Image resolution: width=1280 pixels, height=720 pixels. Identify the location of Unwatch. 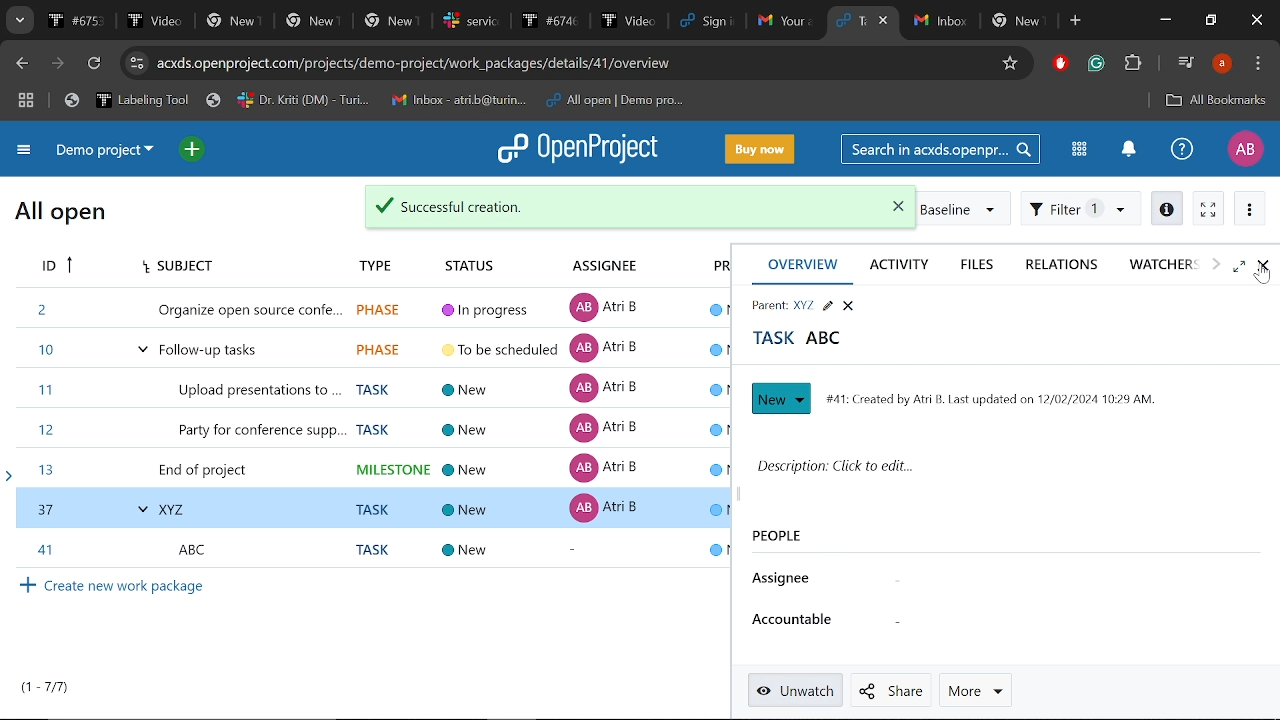
(794, 691).